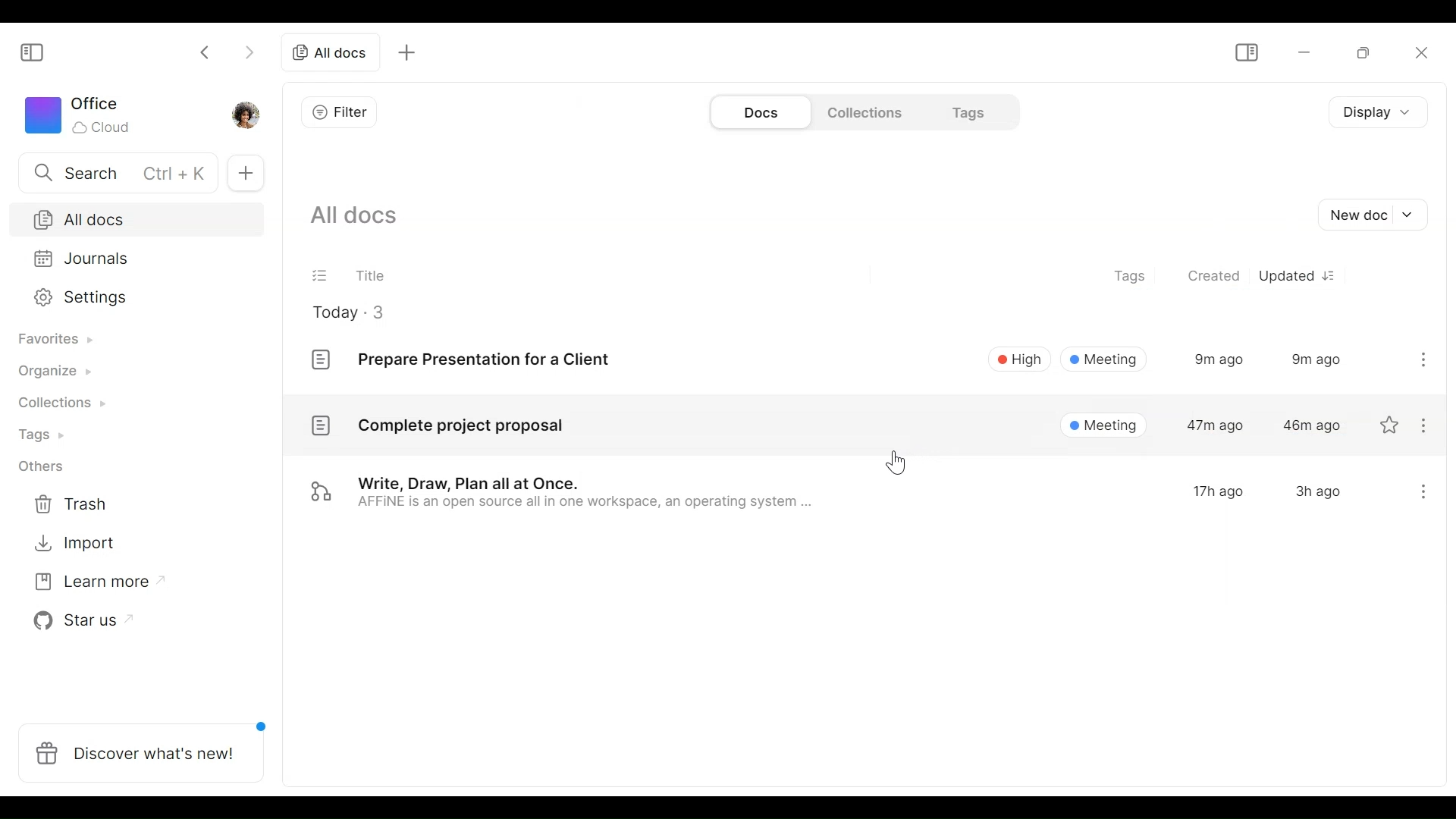 Image resolution: width=1456 pixels, height=819 pixels. I want to click on more options, so click(1424, 491).